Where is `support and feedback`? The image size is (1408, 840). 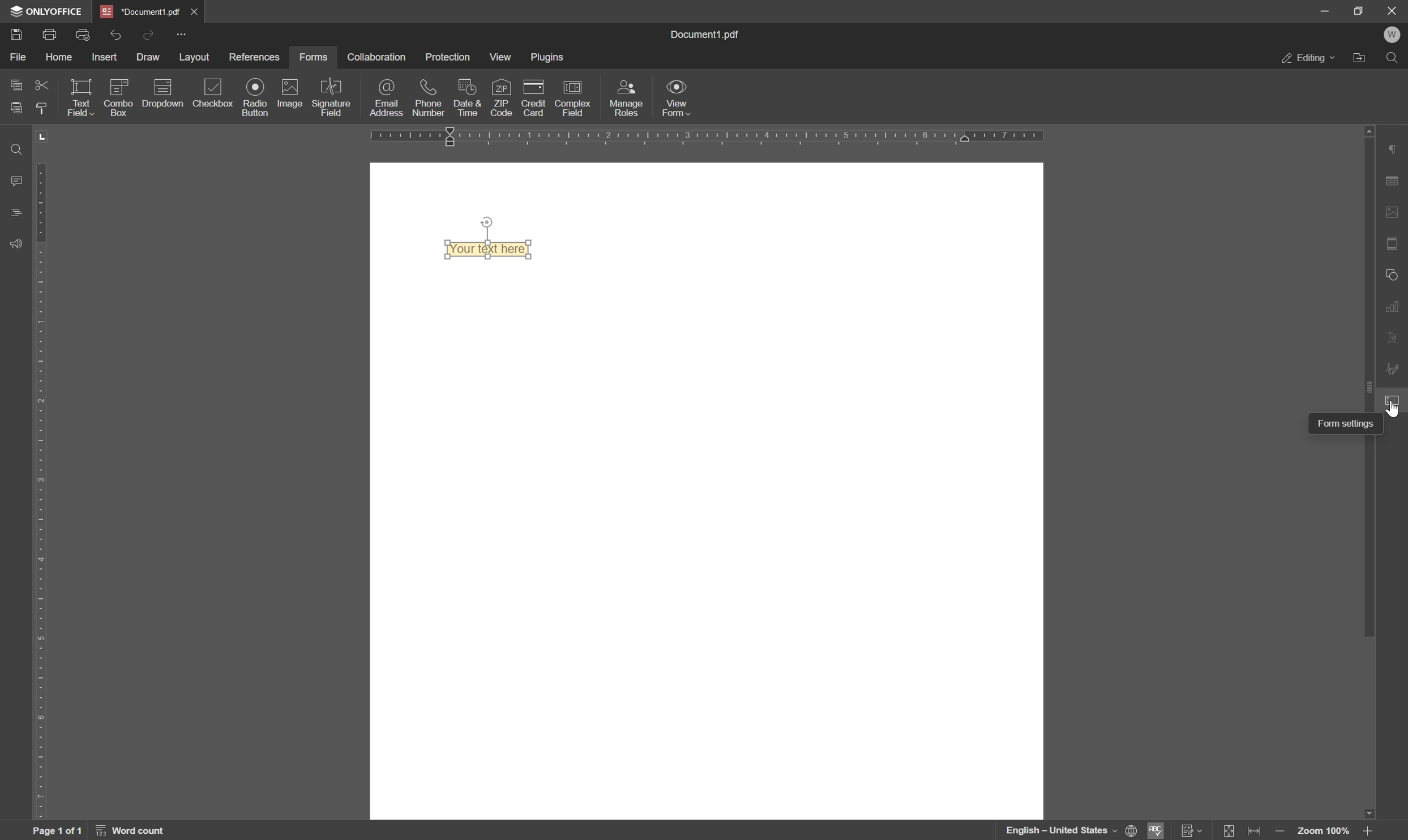
support and feedback is located at coordinates (11, 242).